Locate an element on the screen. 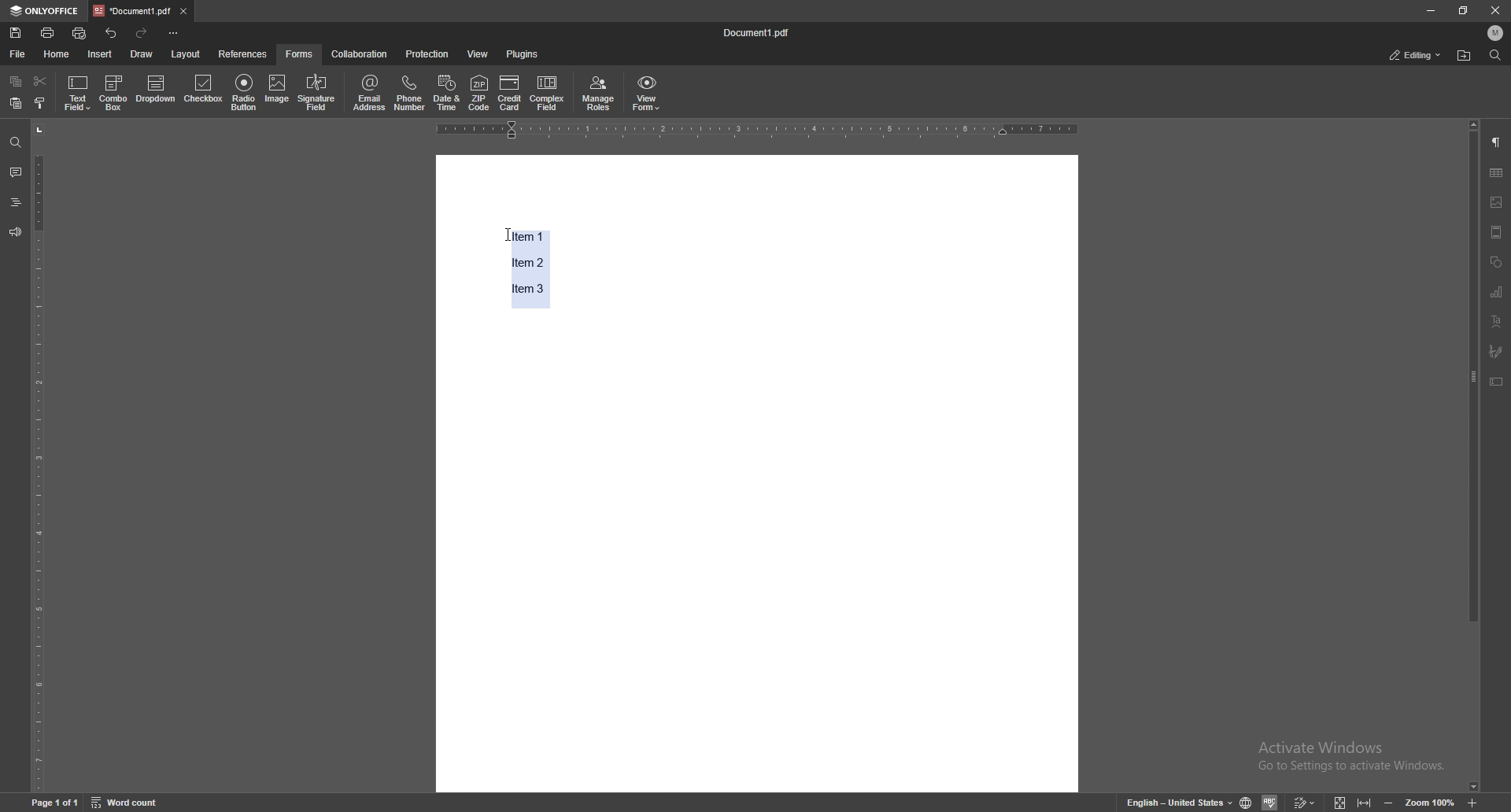 The image size is (1511, 812). zoom is located at coordinates (1429, 801).